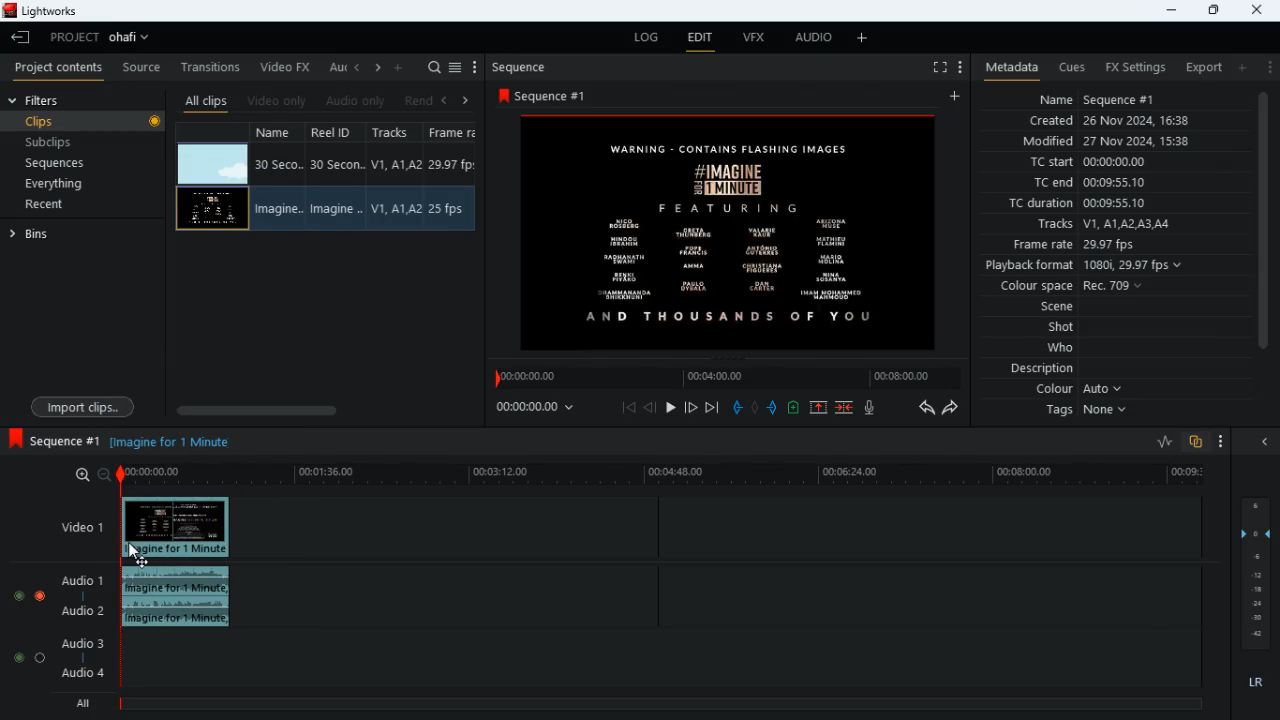 Image resolution: width=1280 pixels, height=720 pixels. Describe the element at coordinates (399, 67) in the screenshot. I see `more` at that location.